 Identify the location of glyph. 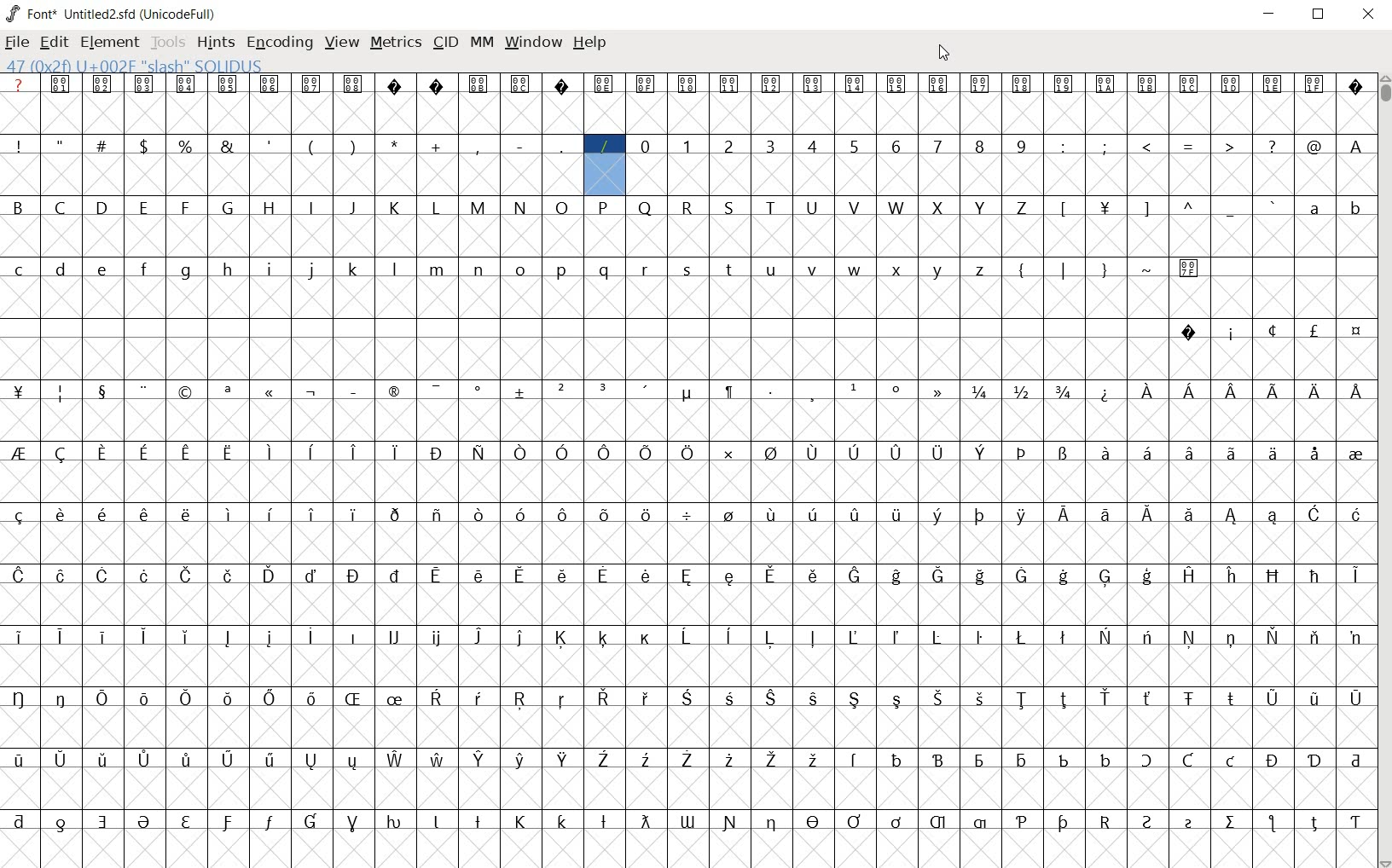
(730, 823).